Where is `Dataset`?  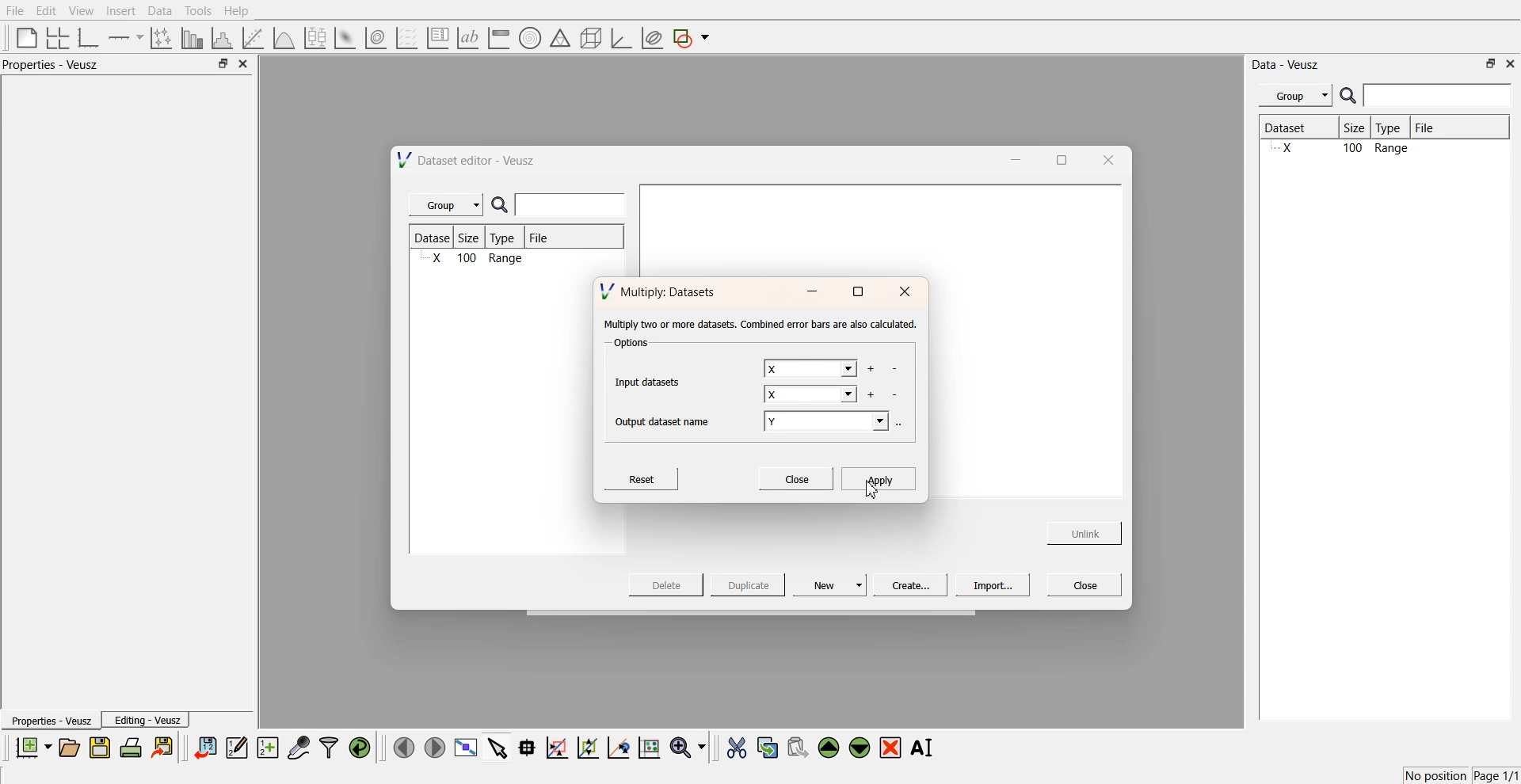
Dataset is located at coordinates (1298, 129).